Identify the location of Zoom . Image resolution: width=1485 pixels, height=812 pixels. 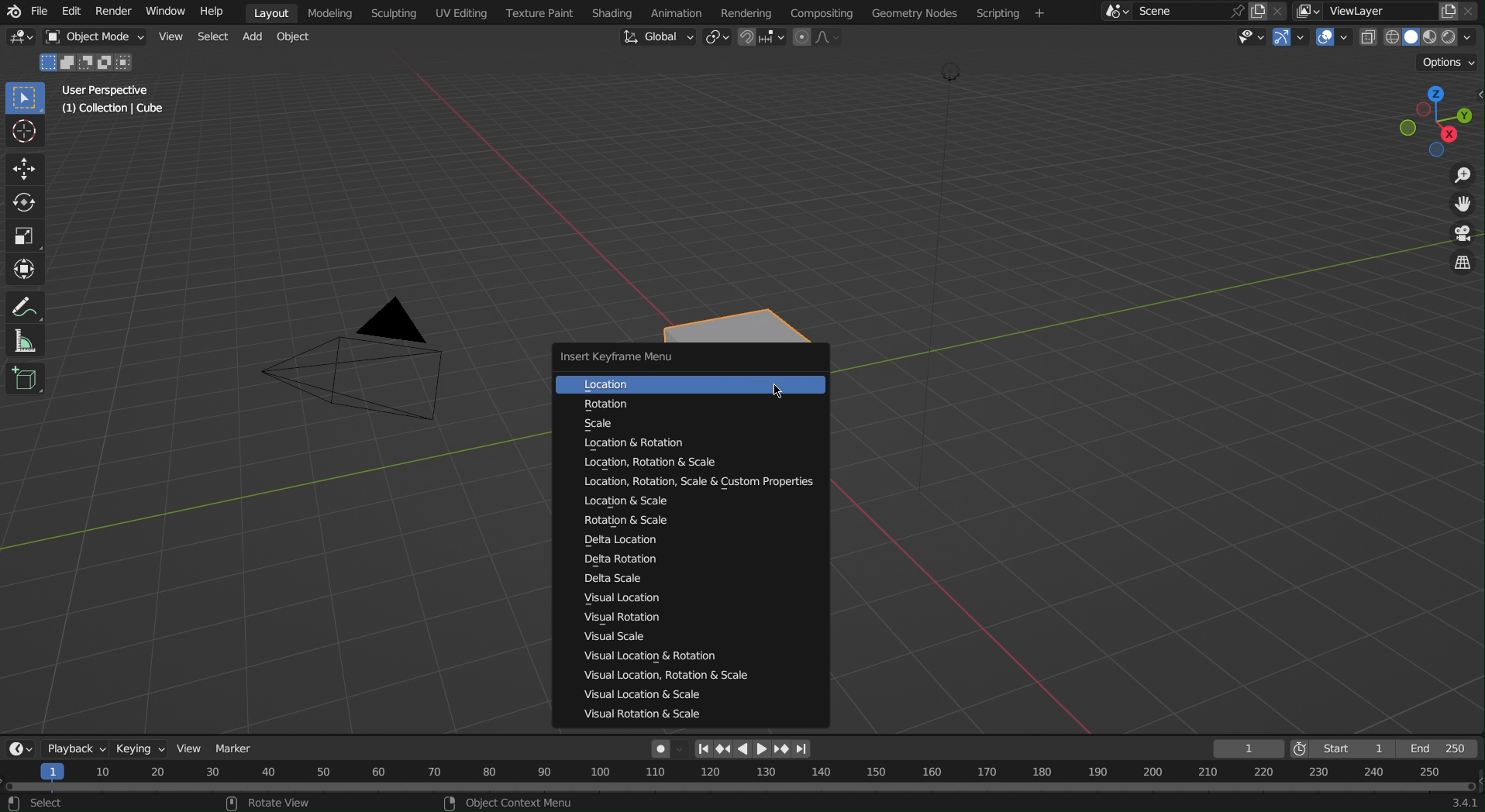
(1465, 174).